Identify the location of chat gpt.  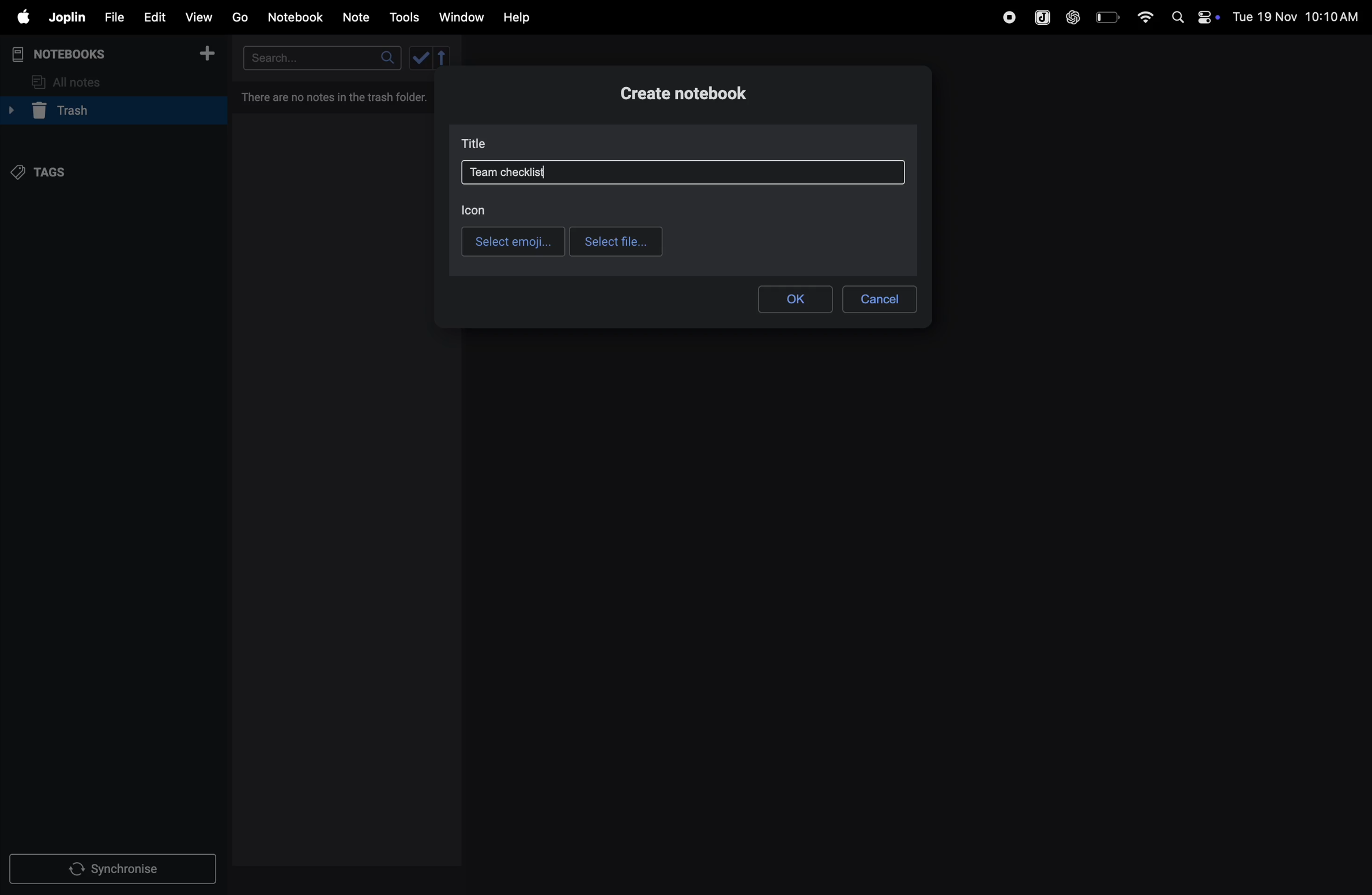
(1071, 17).